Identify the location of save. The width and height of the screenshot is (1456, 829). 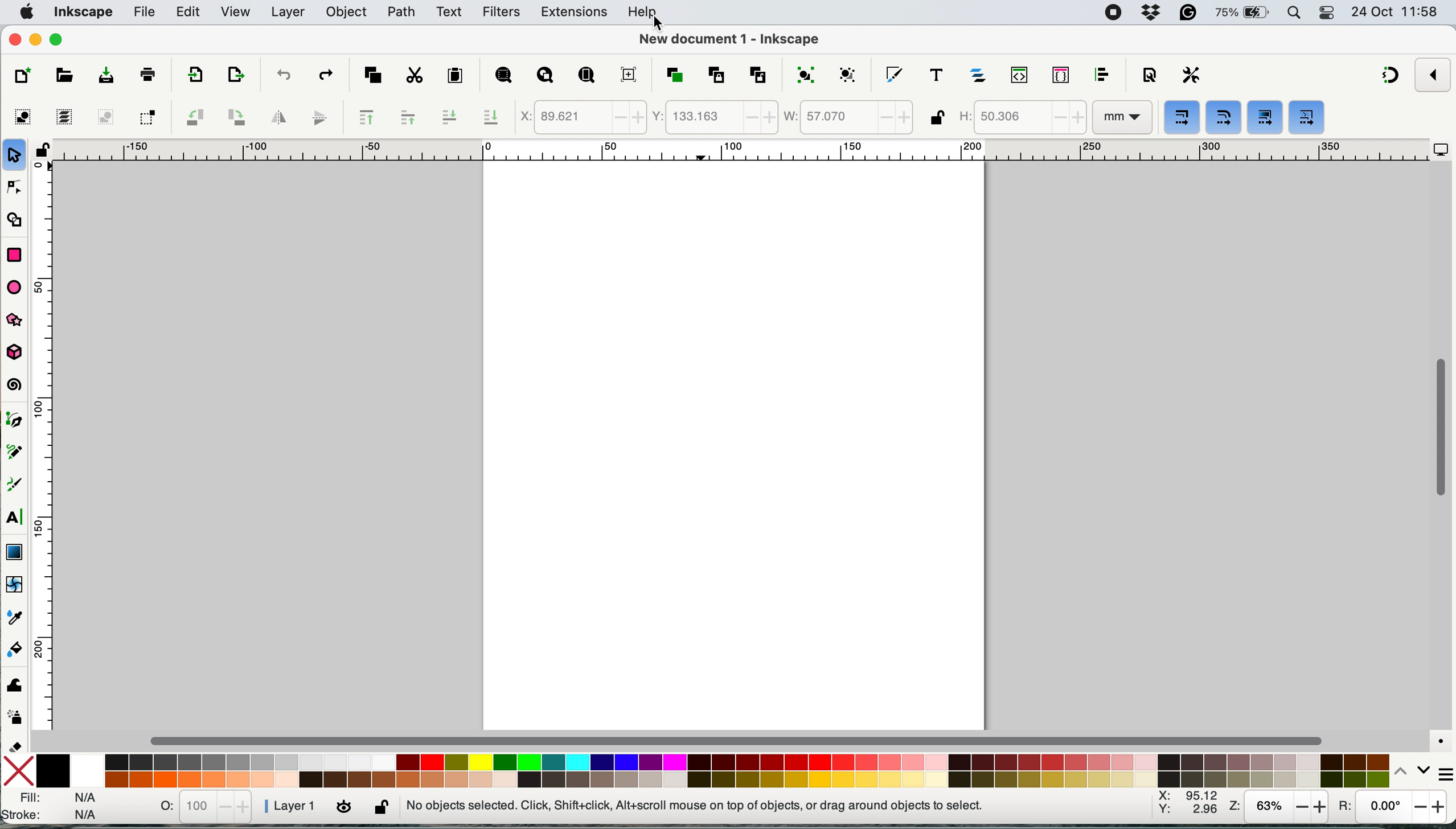
(101, 75).